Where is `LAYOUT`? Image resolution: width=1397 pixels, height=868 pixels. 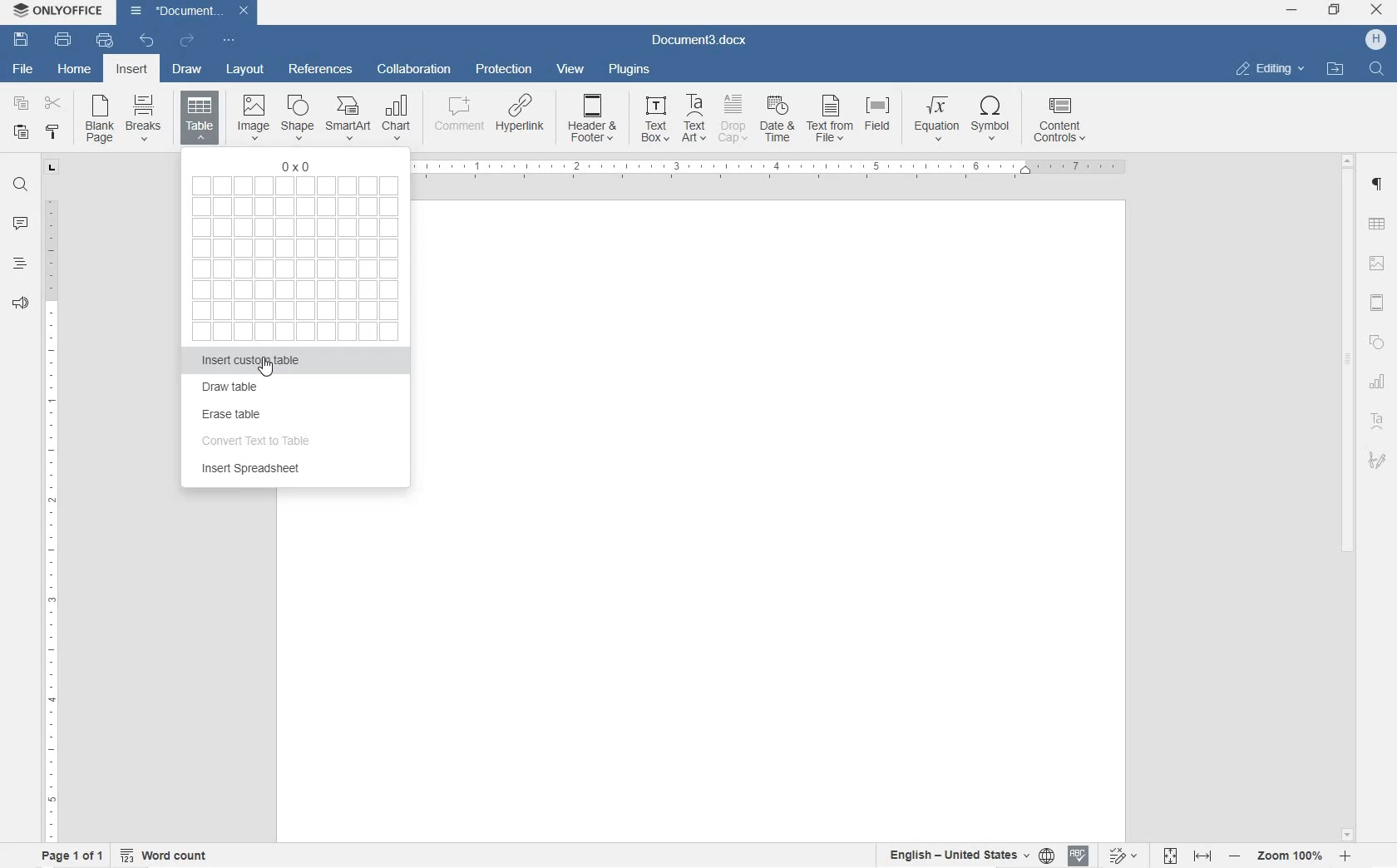
LAYOUT is located at coordinates (246, 71).